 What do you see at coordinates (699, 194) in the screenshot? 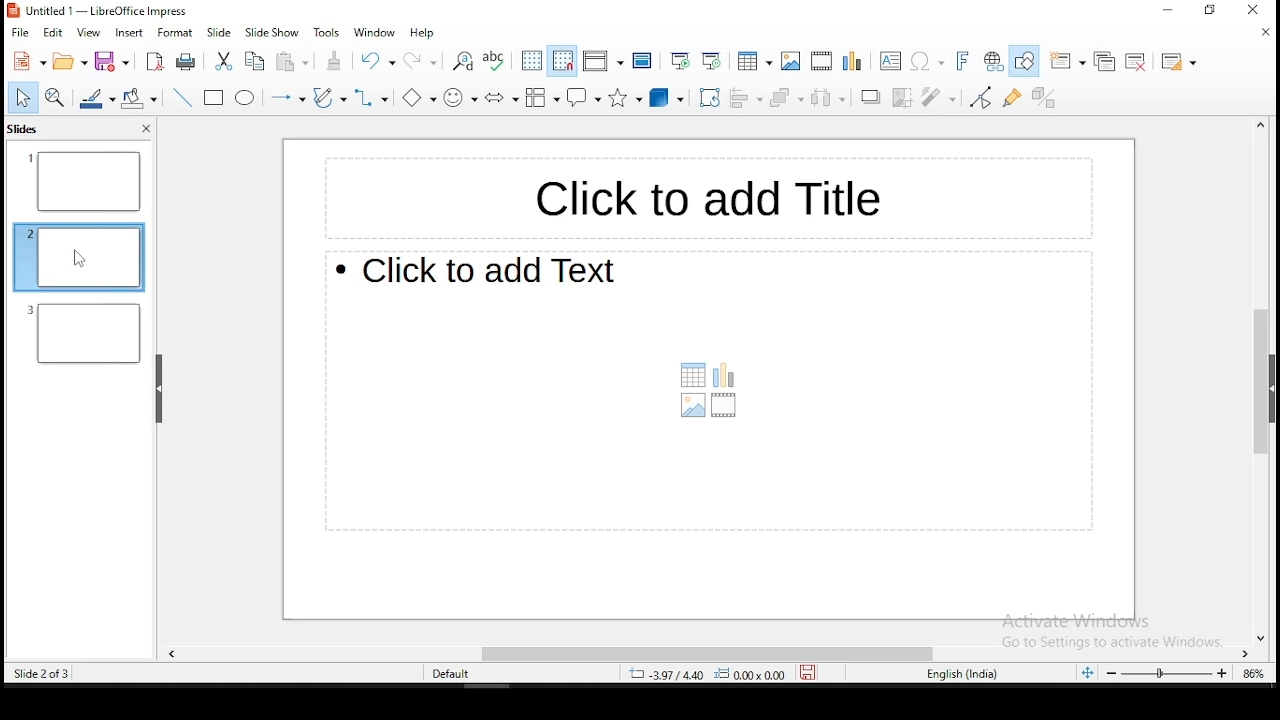
I see `text box` at bounding box center [699, 194].